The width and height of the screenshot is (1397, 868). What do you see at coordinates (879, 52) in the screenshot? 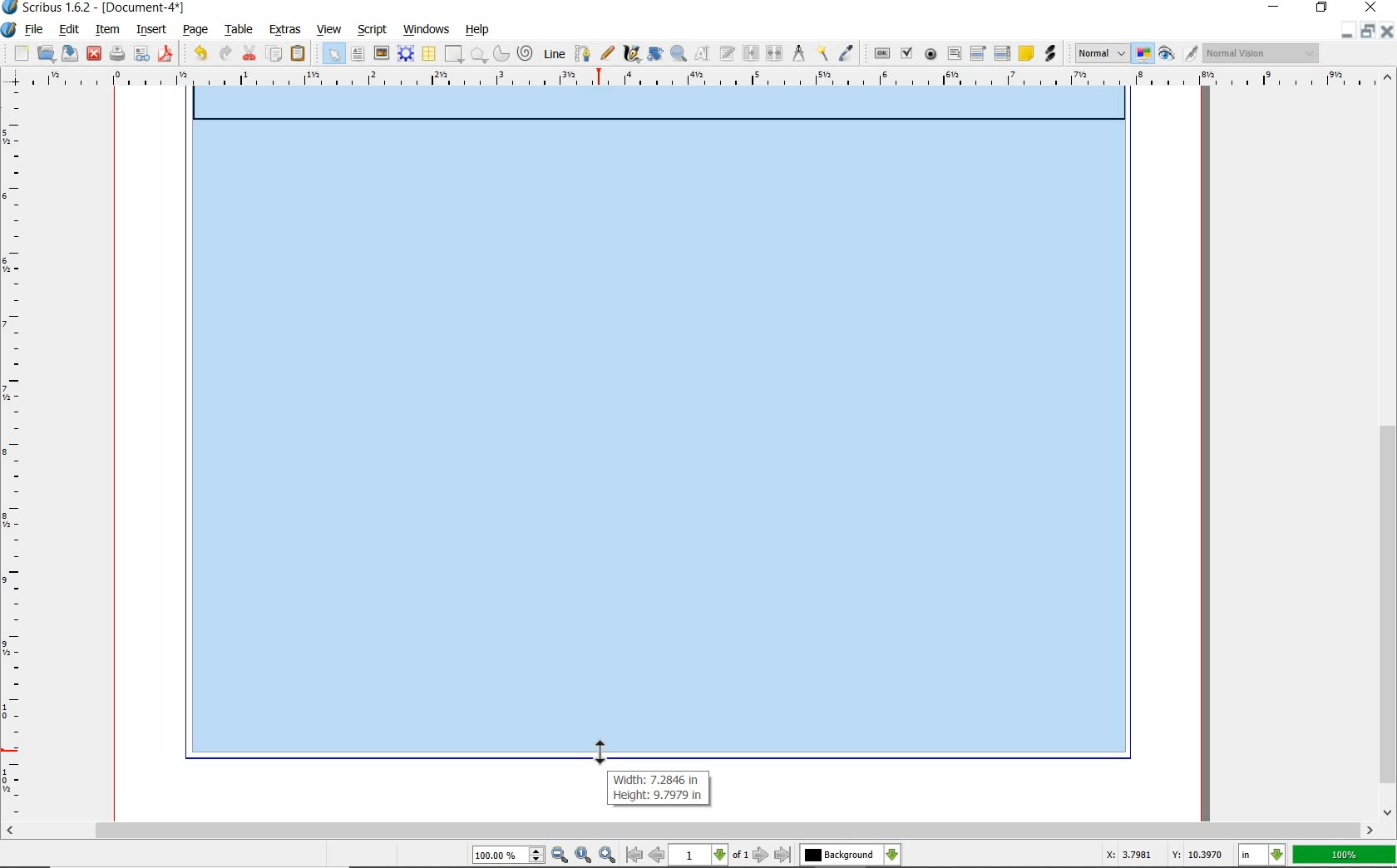
I see `pdf push button` at bounding box center [879, 52].